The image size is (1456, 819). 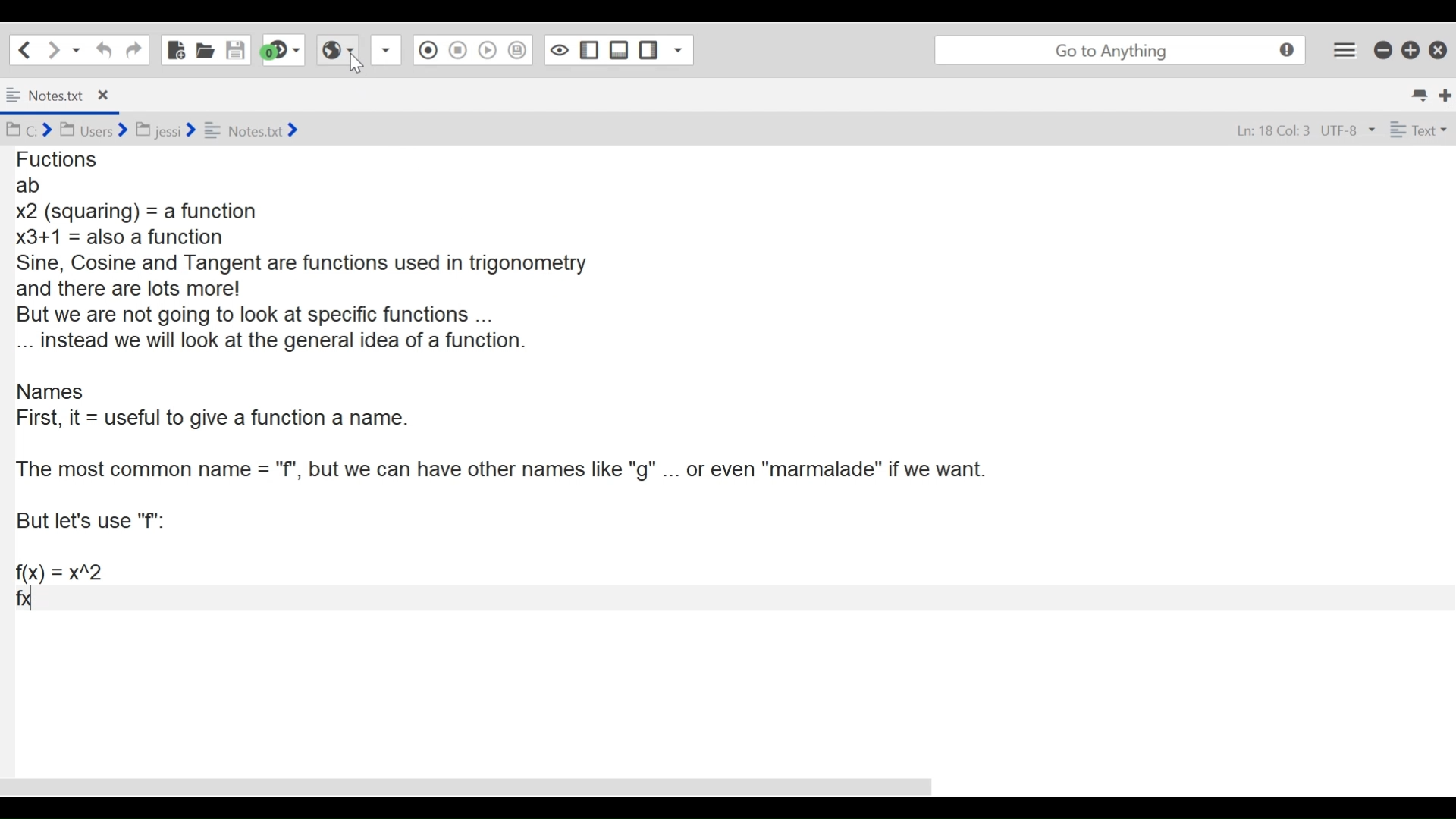 I want to click on FuctionsabX2 (squaring) = a functionx3+1 = also a functionSine, Cosine and Tangent are functions used in trigonometryand there are lots more!But we are not going to look at specific functions ...... instead we will look at the general idea of a function.NamesFirst, it = useful to give a function a name.The most common name = "f", but we can have other names like "g" ... or even "marmalade" if we want.But let's use "f":f(x) = x^2 fx, so click(x=516, y=383).